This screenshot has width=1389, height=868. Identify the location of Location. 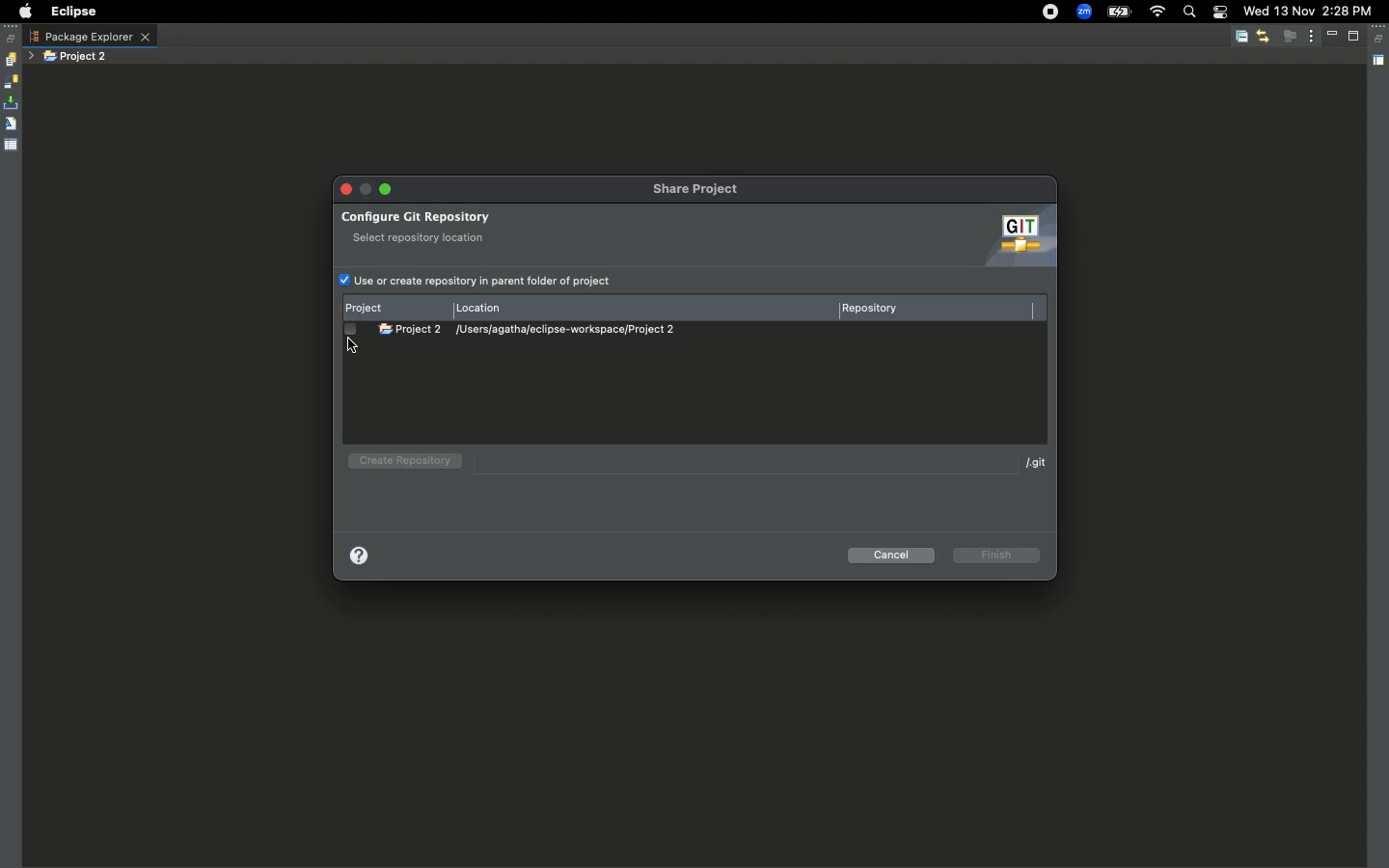
(484, 306).